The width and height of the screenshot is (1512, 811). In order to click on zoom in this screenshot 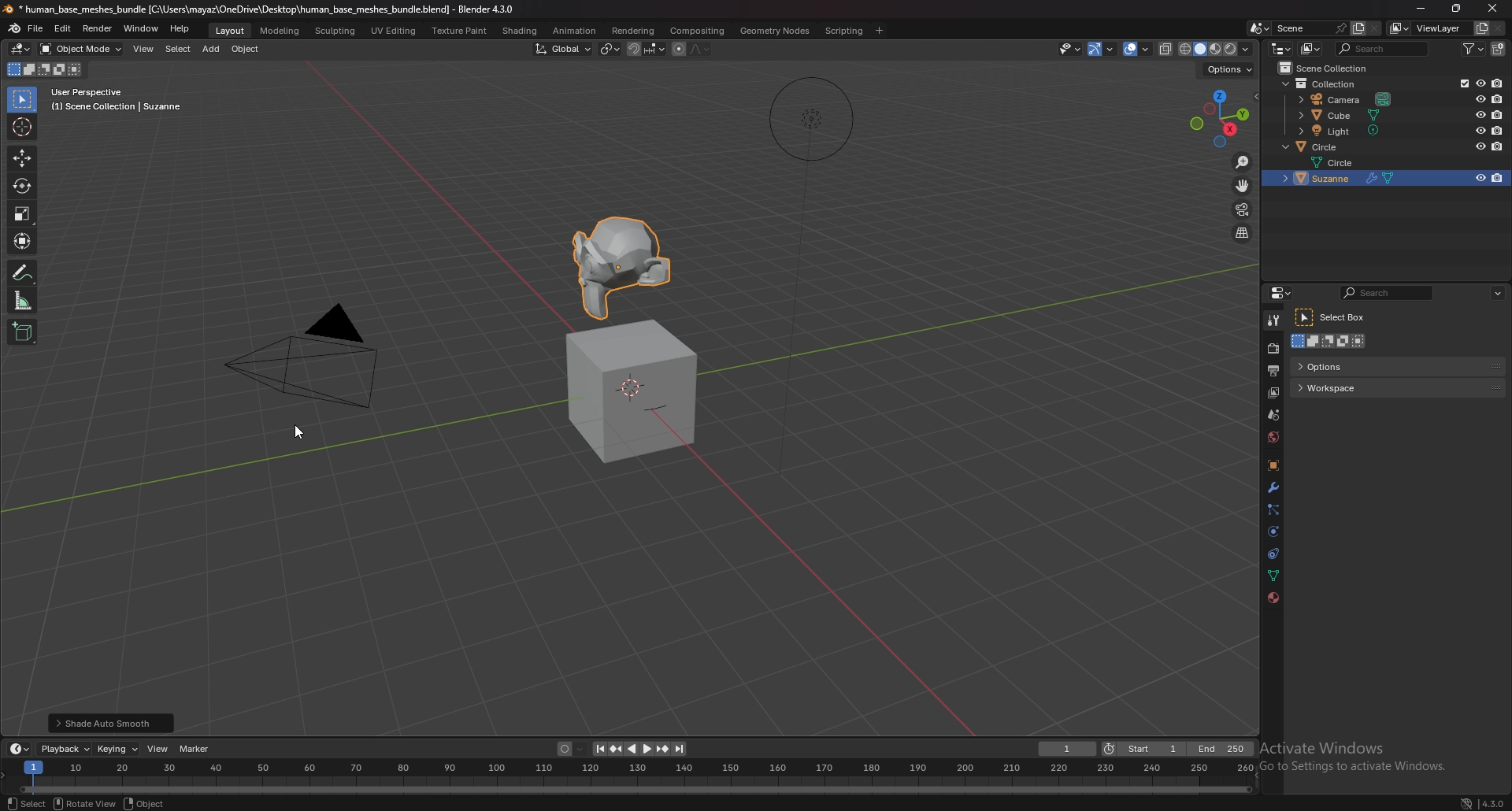, I will do `click(1243, 162)`.